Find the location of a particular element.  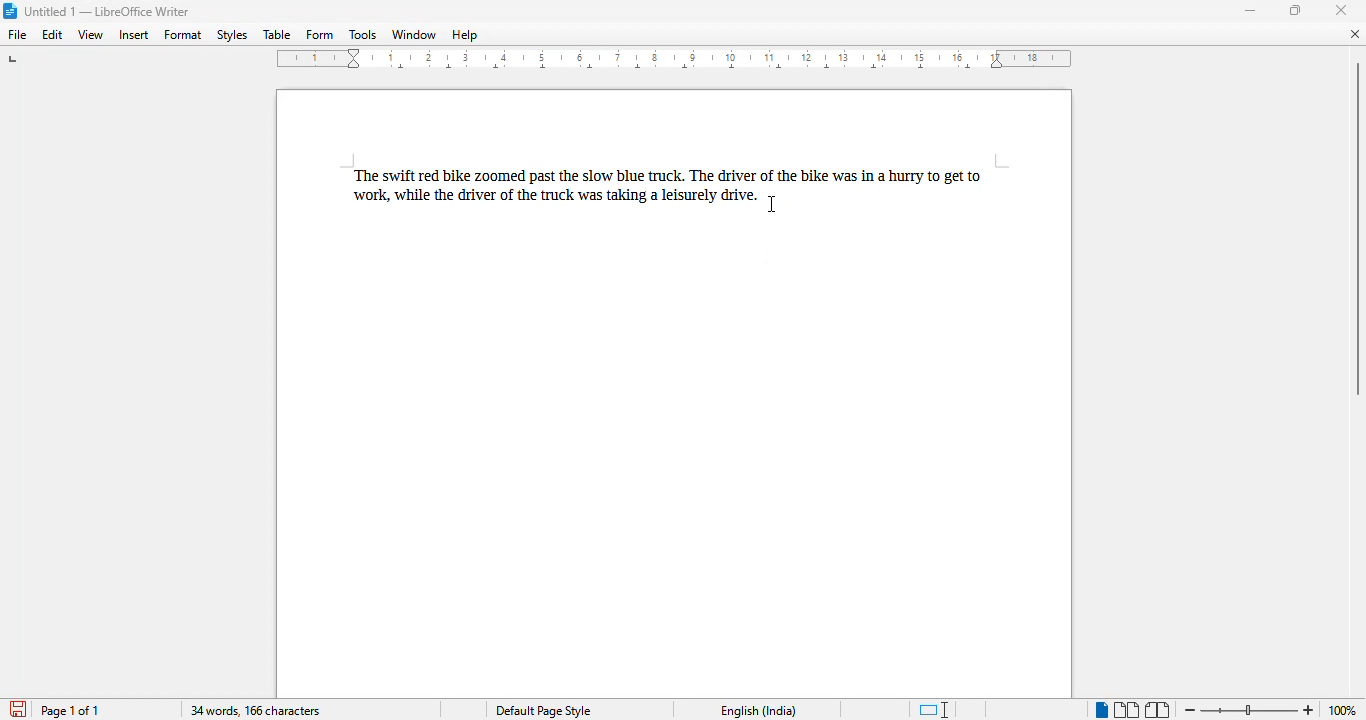

styles is located at coordinates (231, 35).